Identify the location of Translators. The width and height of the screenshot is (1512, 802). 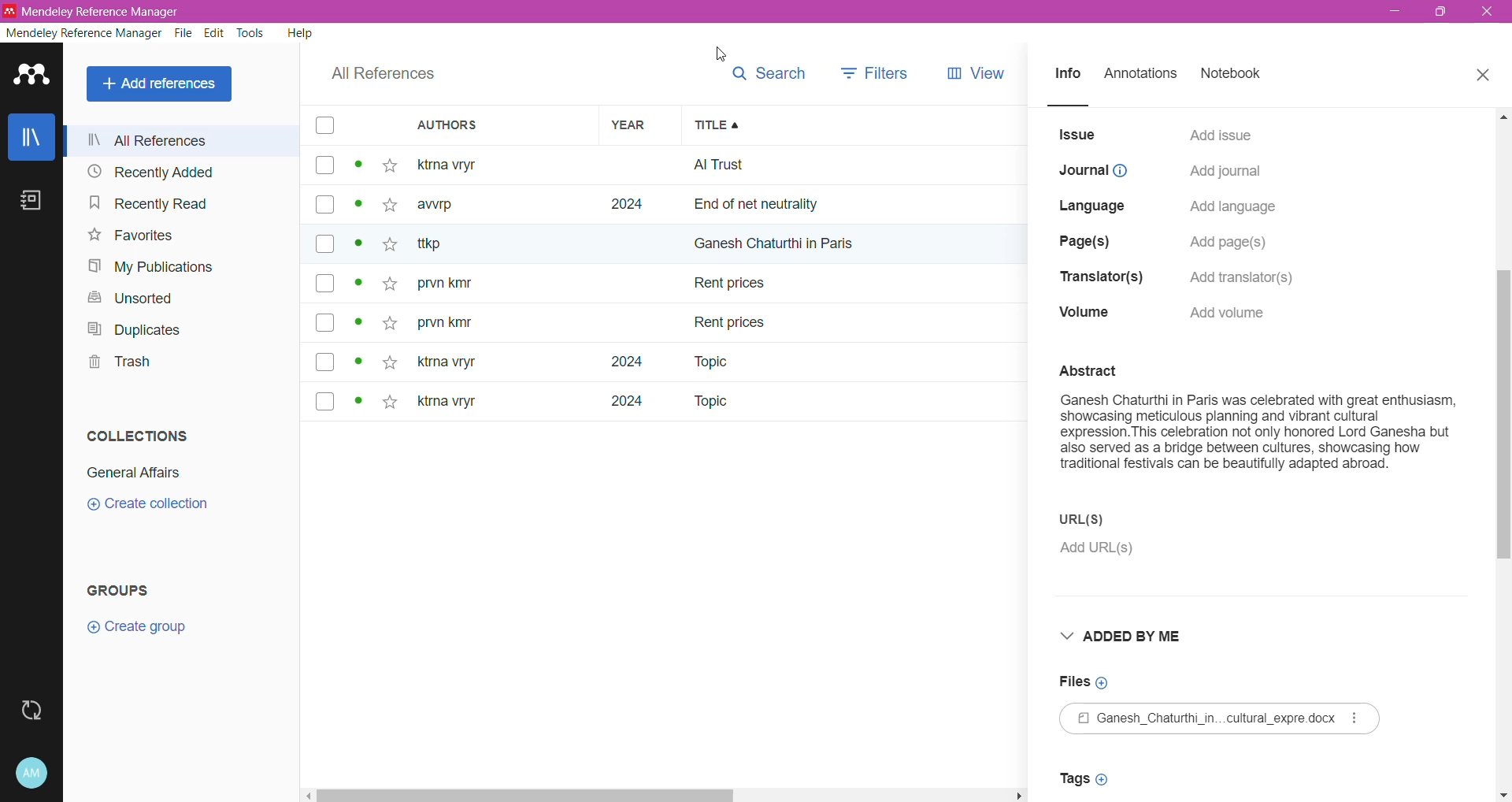
(1096, 278).